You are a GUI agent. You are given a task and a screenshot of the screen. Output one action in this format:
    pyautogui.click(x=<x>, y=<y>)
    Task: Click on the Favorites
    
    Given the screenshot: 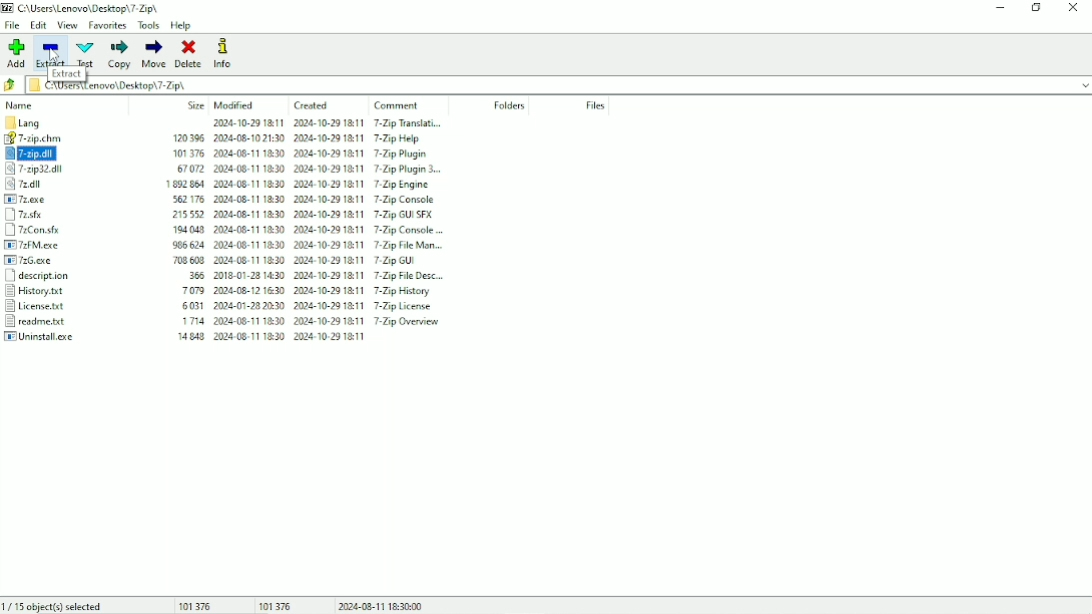 What is the action you would take?
    pyautogui.click(x=107, y=25)
    